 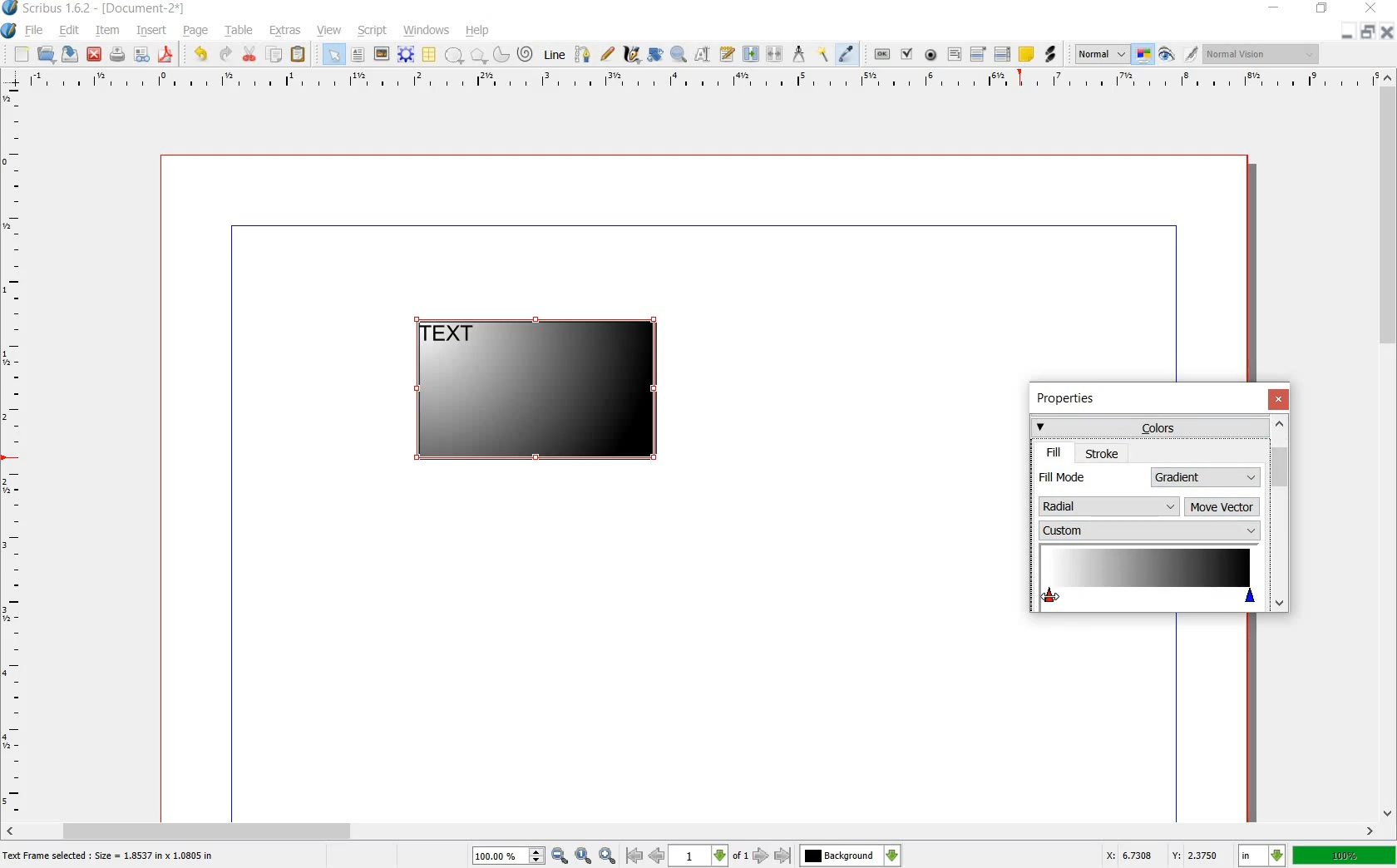 I want to click on redo, so click(x=225, y=55).